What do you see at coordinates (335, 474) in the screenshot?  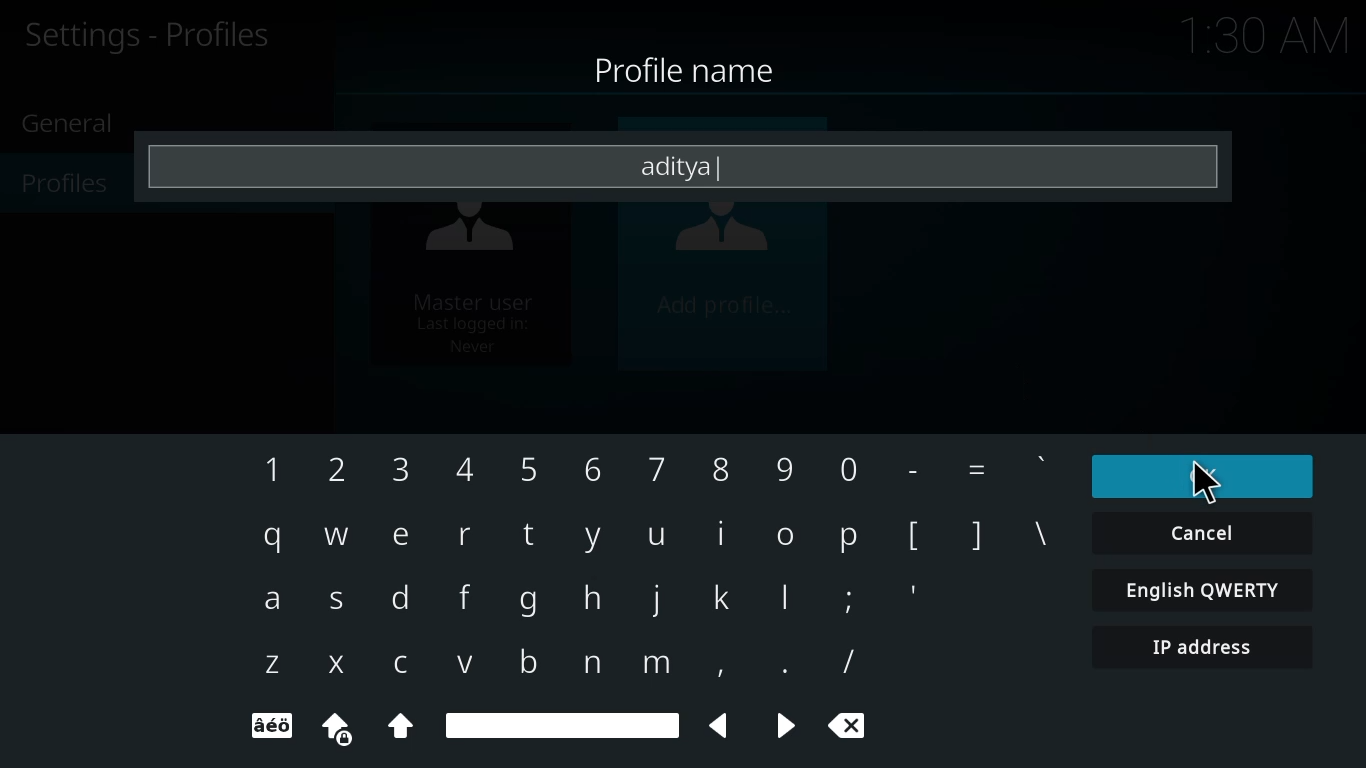 I see `2` at bounding box center [335, 474].